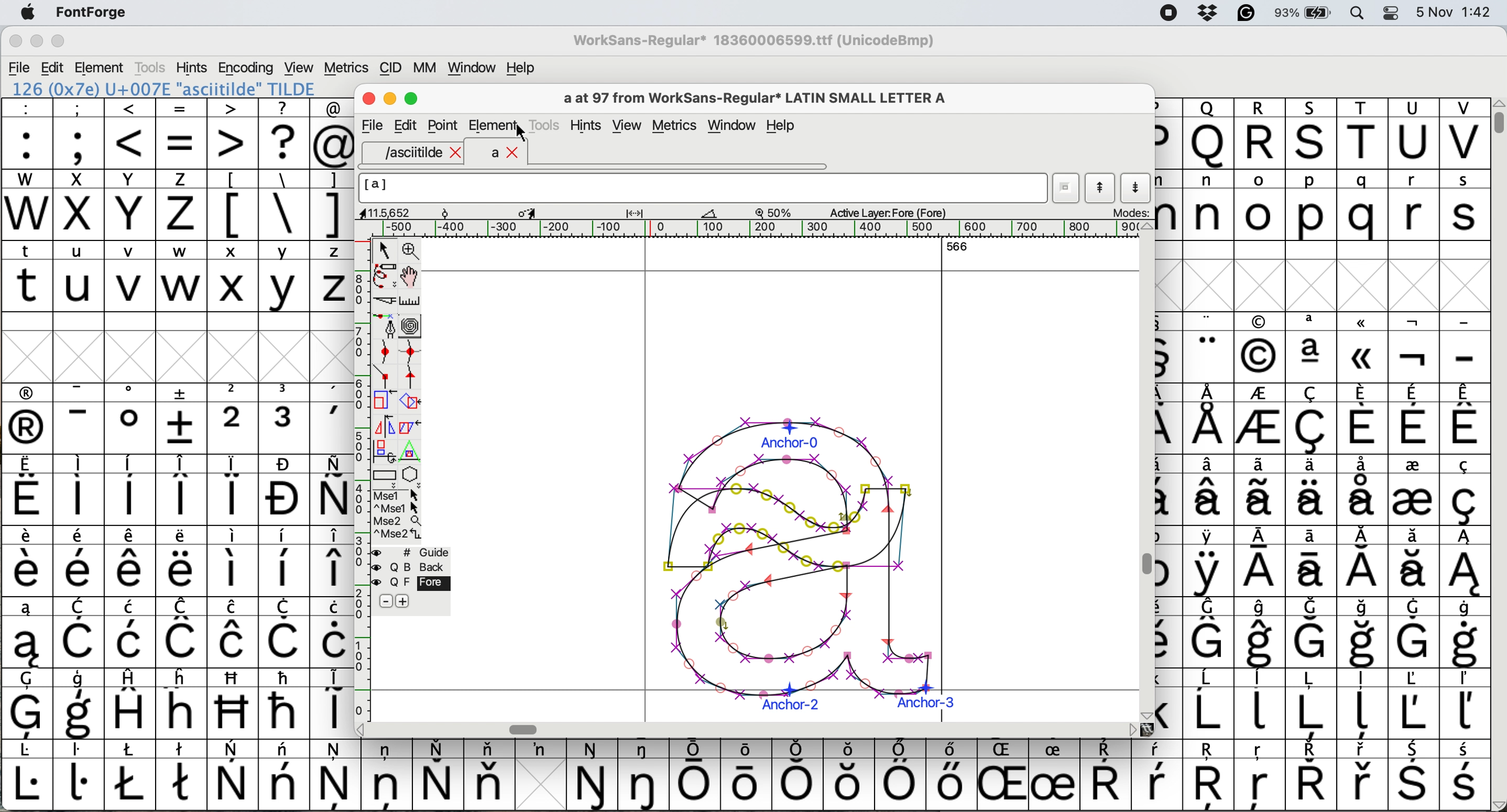  I want to click on symbol, so click(1414, 776).